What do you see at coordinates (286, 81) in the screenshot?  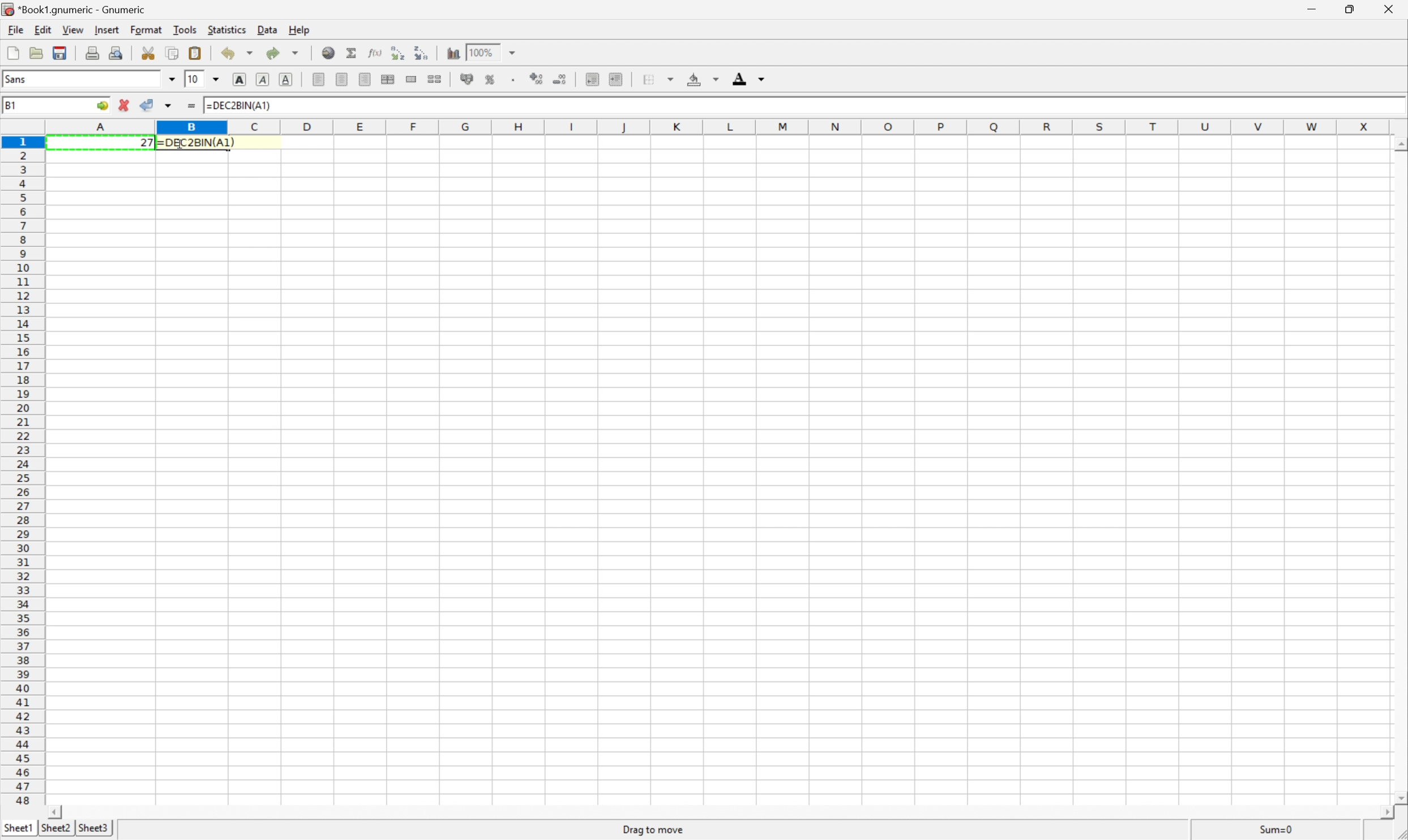 I see `Underline` at bounding box center [286, 81].